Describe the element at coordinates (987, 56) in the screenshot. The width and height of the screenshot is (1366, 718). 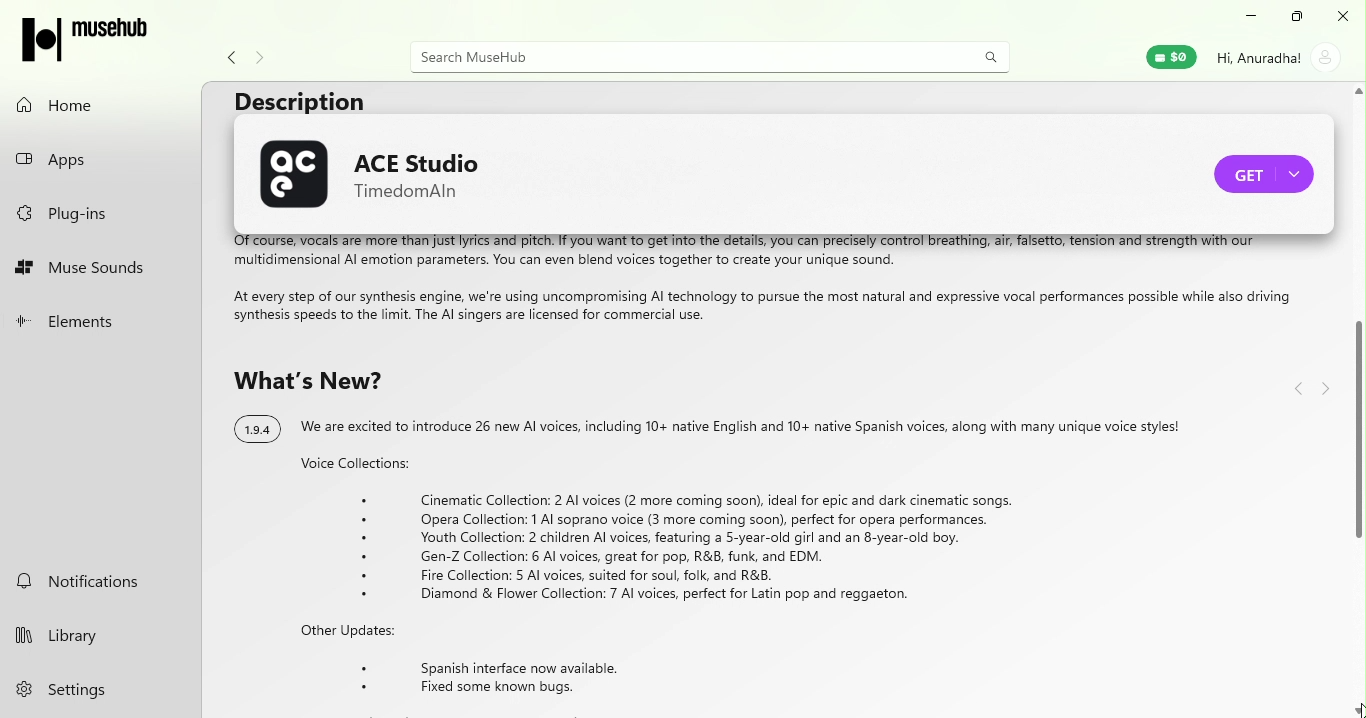
I see `search` at that location.